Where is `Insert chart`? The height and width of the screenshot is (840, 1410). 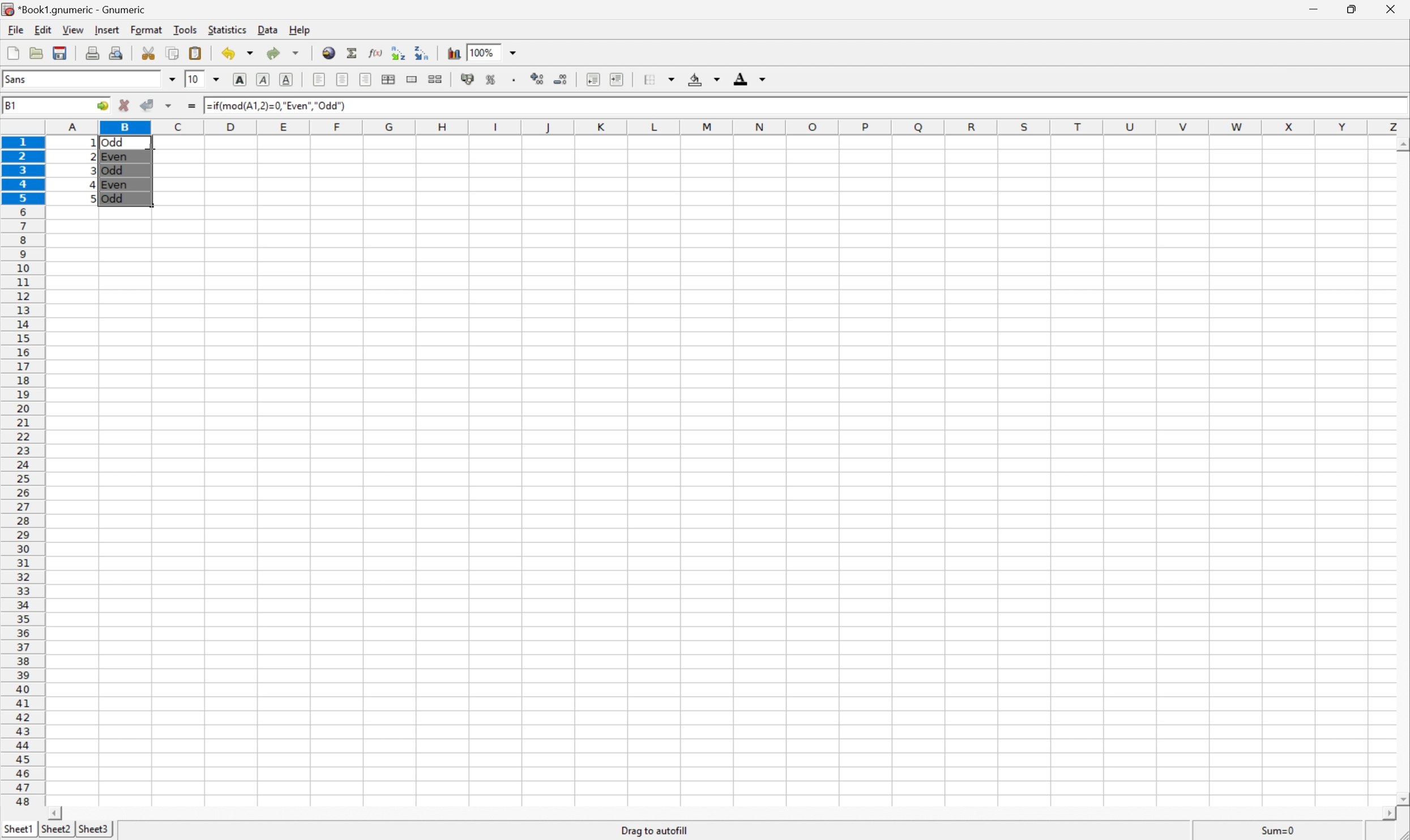 Insert chart is located at coordinates (454, 52).